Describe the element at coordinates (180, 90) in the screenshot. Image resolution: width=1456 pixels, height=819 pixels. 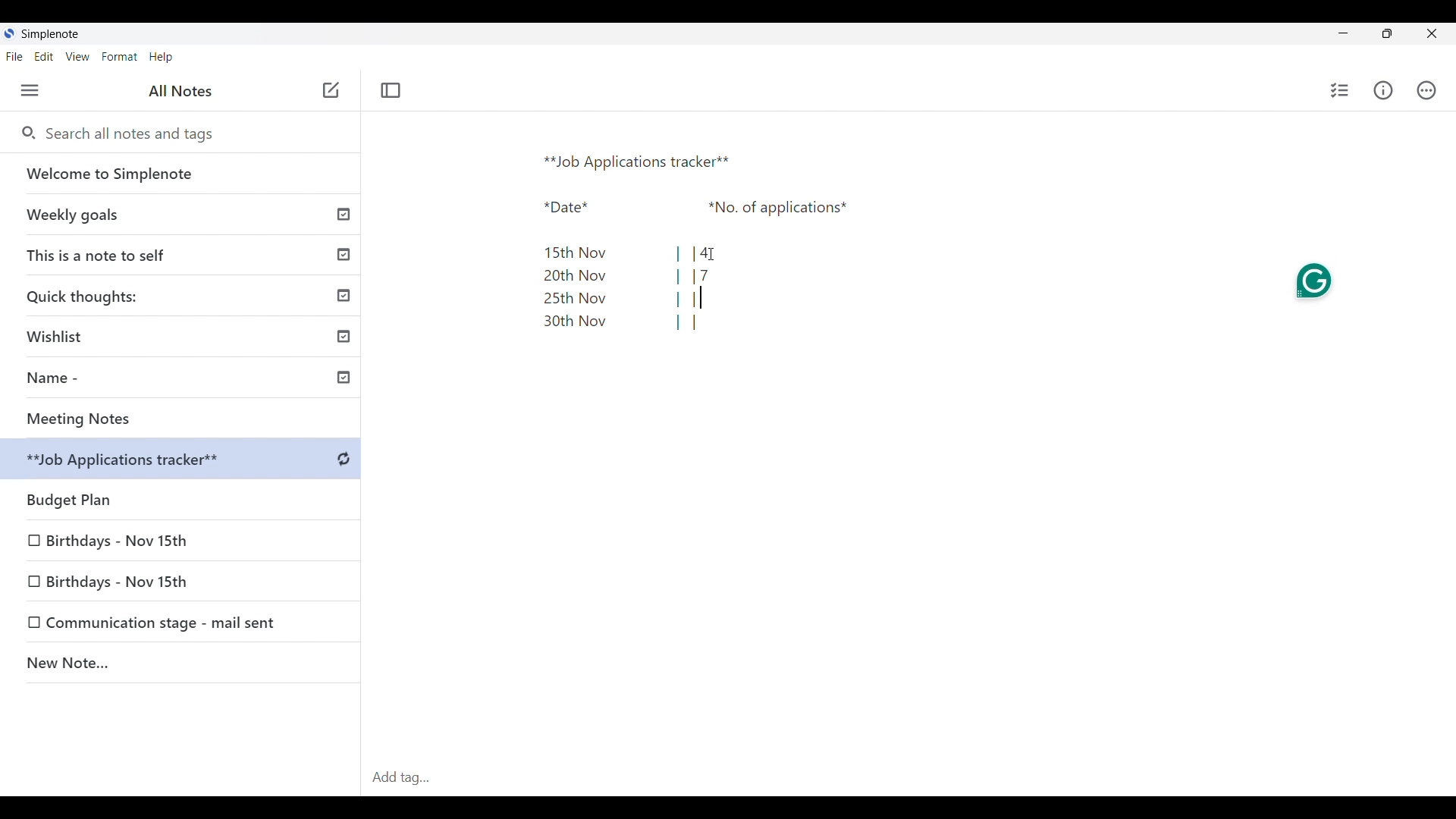
I see `All notes` at that location.